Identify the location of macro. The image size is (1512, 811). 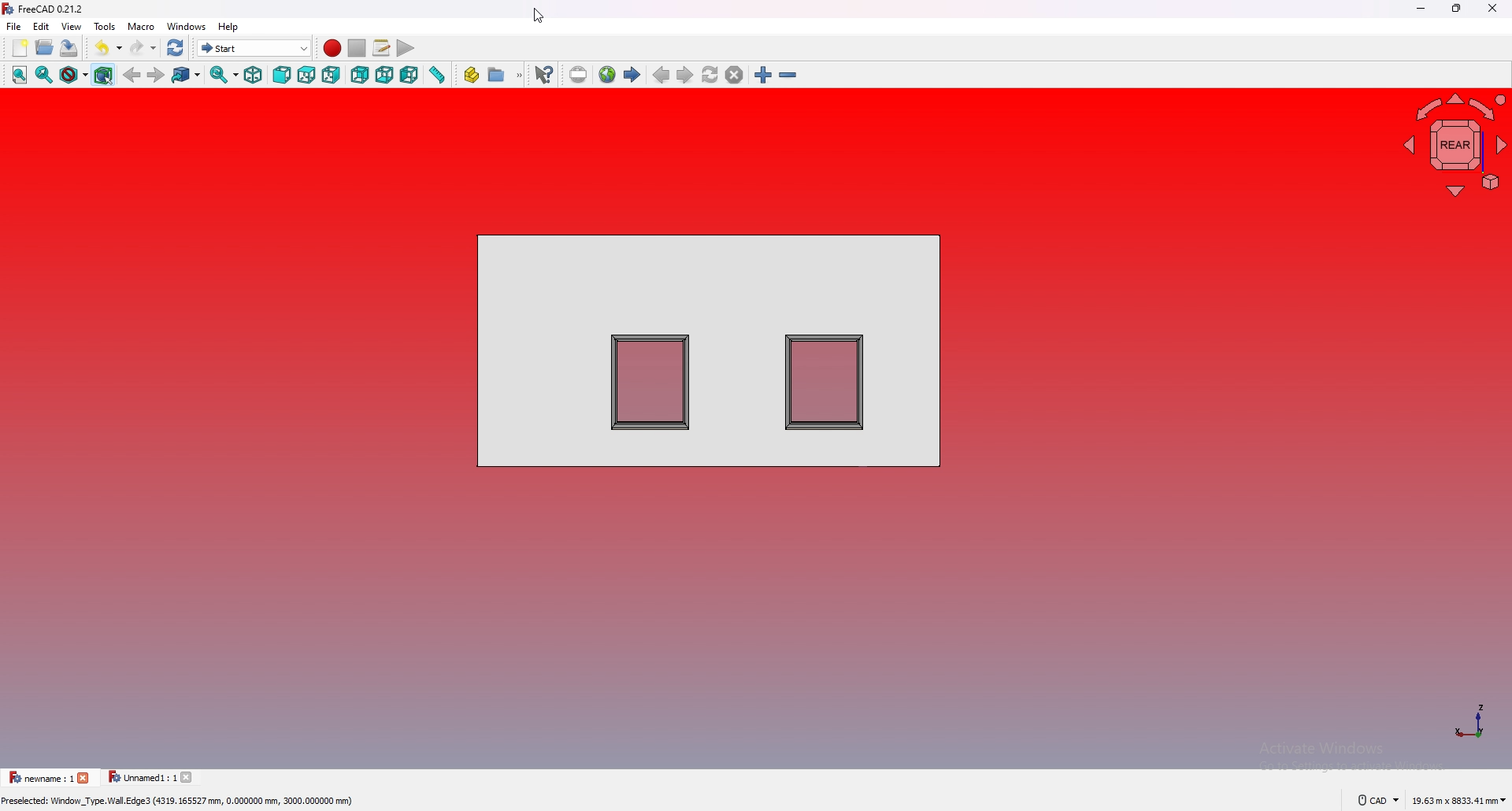
(141, 26).